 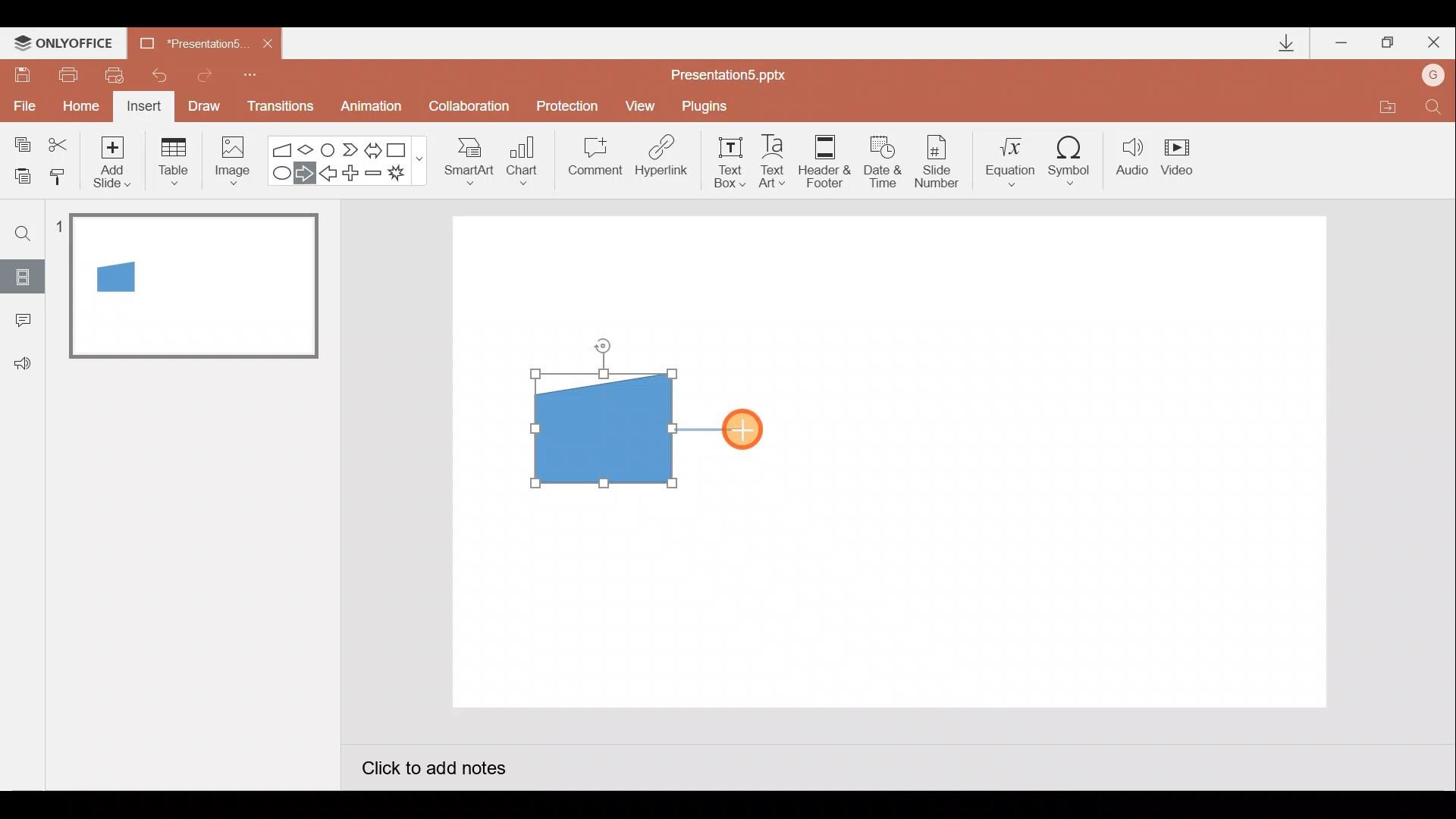 I want to click on Explosion 1, so click(x=406, y=175).